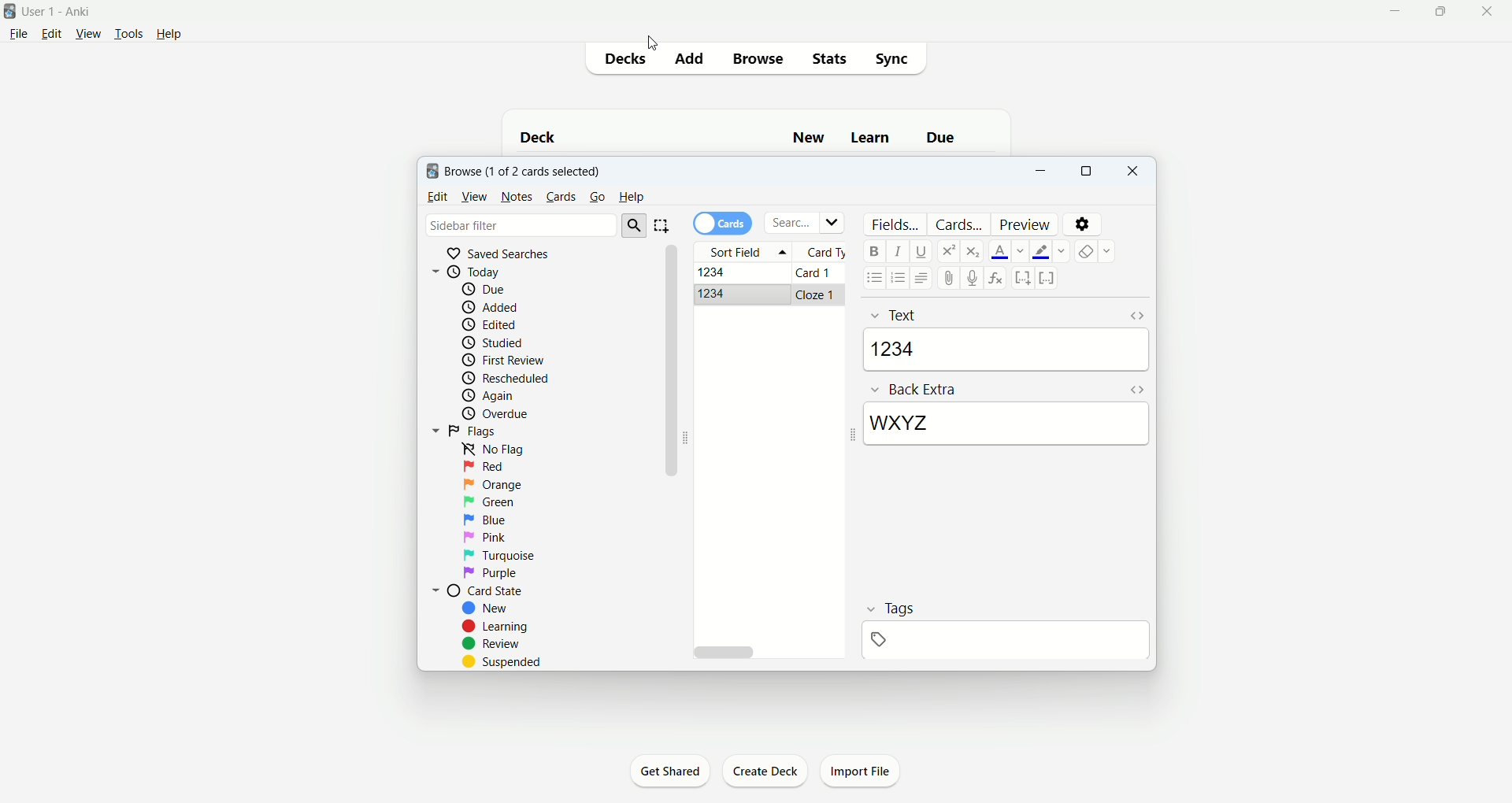 The image size is (1512, 803). What do you see at coordinates (766, 770) in the screenshot?
I see `create deck` at bounding box center [766, 770].